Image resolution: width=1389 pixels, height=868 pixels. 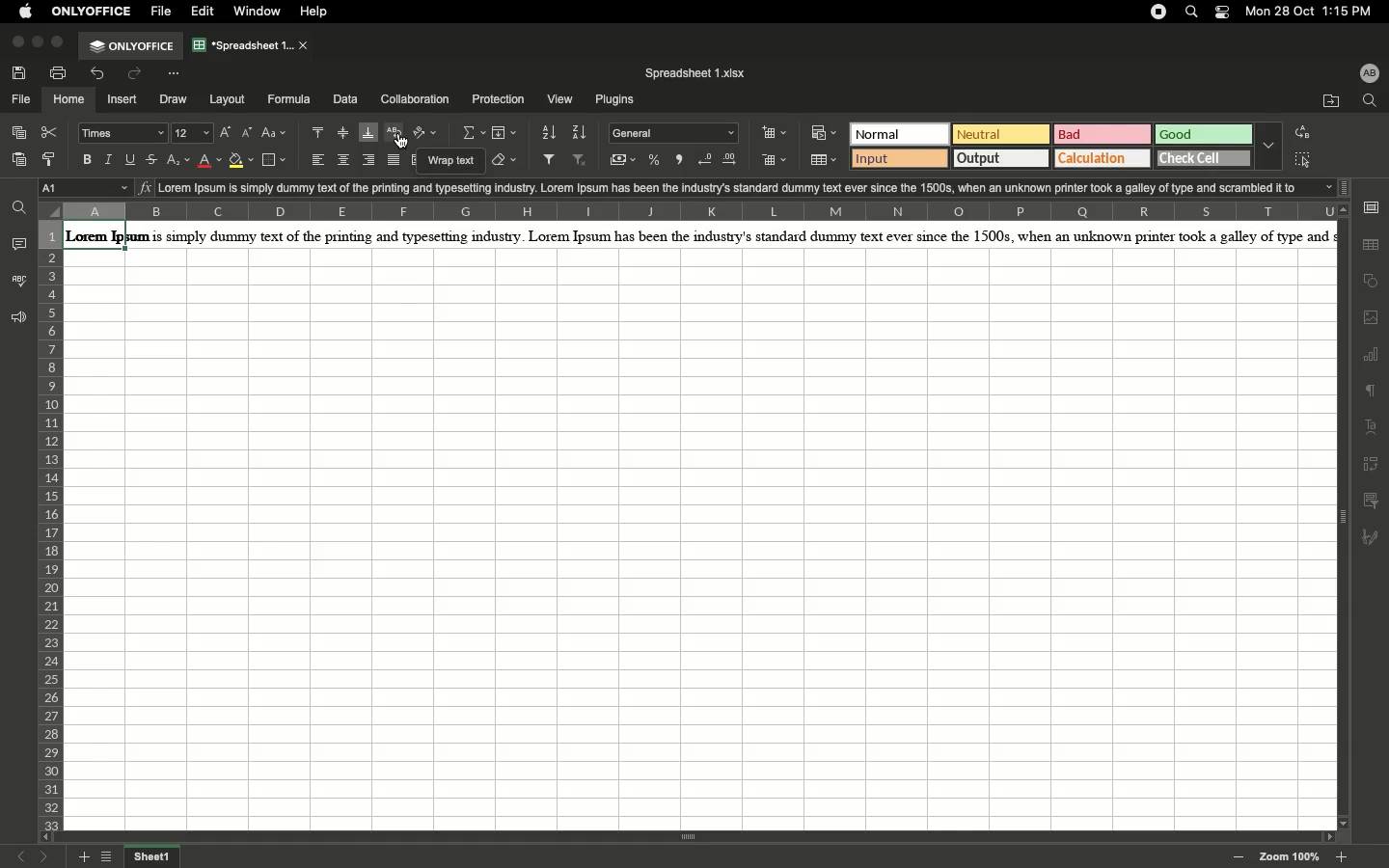 What do you see at coordinates (1223, 14) in the screenshot?
I see `Notification` at bounding box center [1223, 14].